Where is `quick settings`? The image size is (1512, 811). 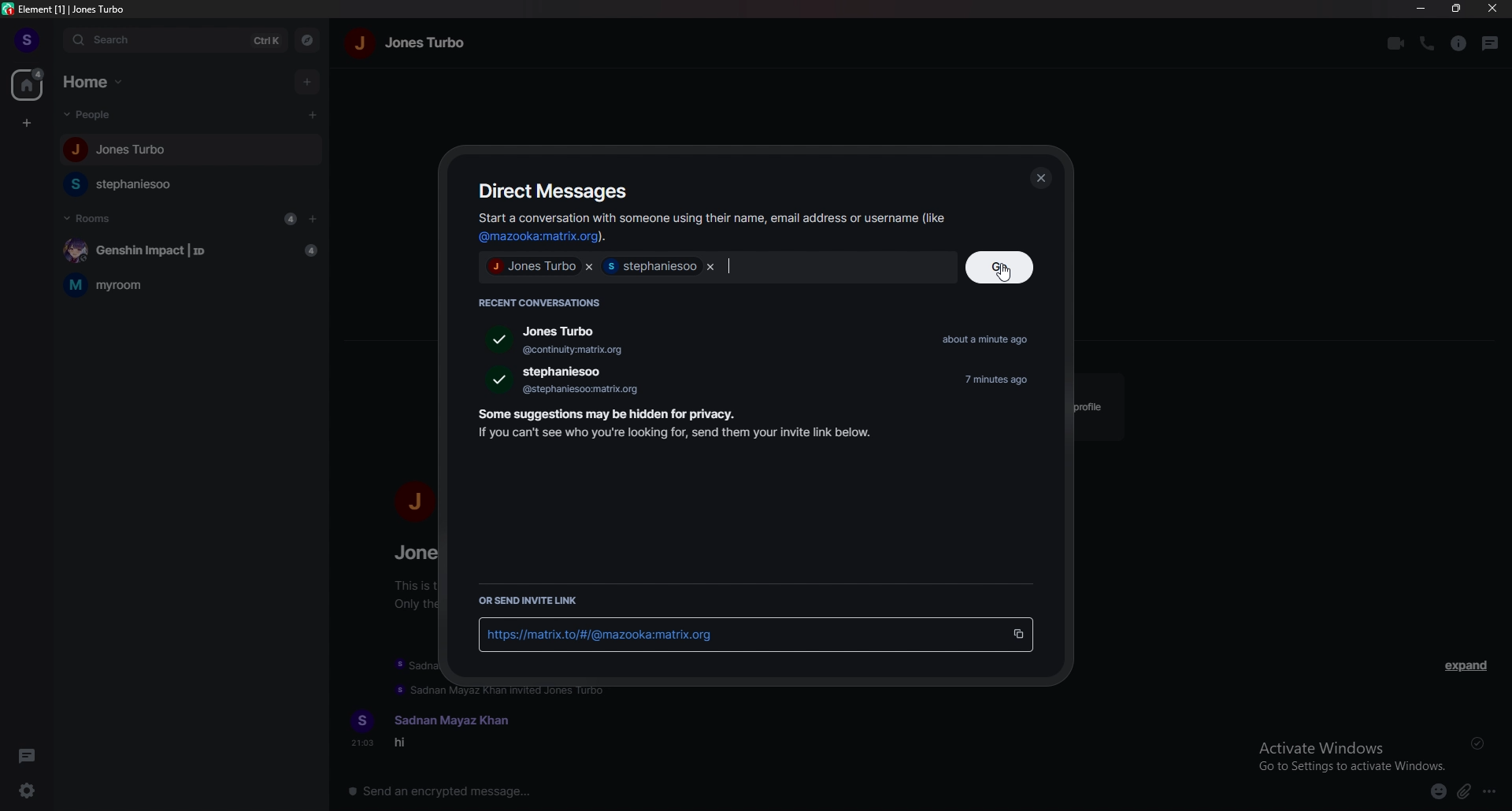
quick settings is located at coordinates (30, 790).